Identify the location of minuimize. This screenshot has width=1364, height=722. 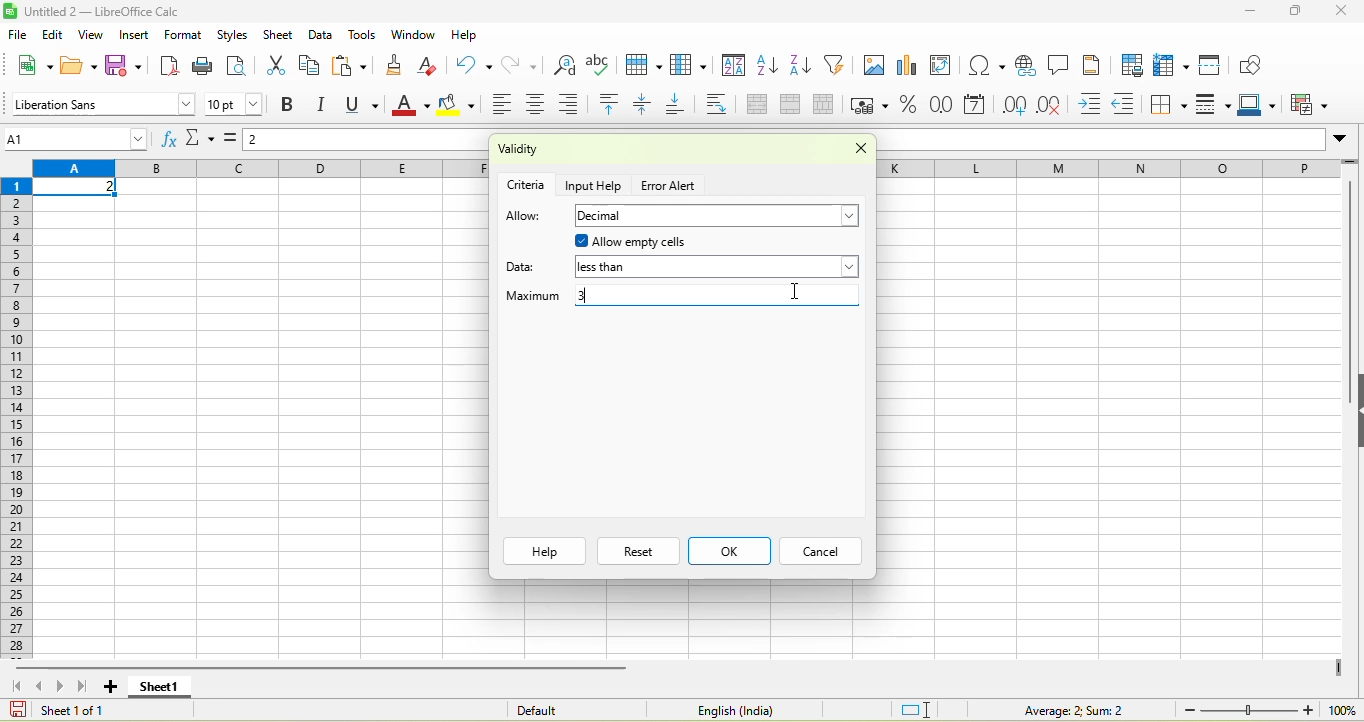
(1249, 12).